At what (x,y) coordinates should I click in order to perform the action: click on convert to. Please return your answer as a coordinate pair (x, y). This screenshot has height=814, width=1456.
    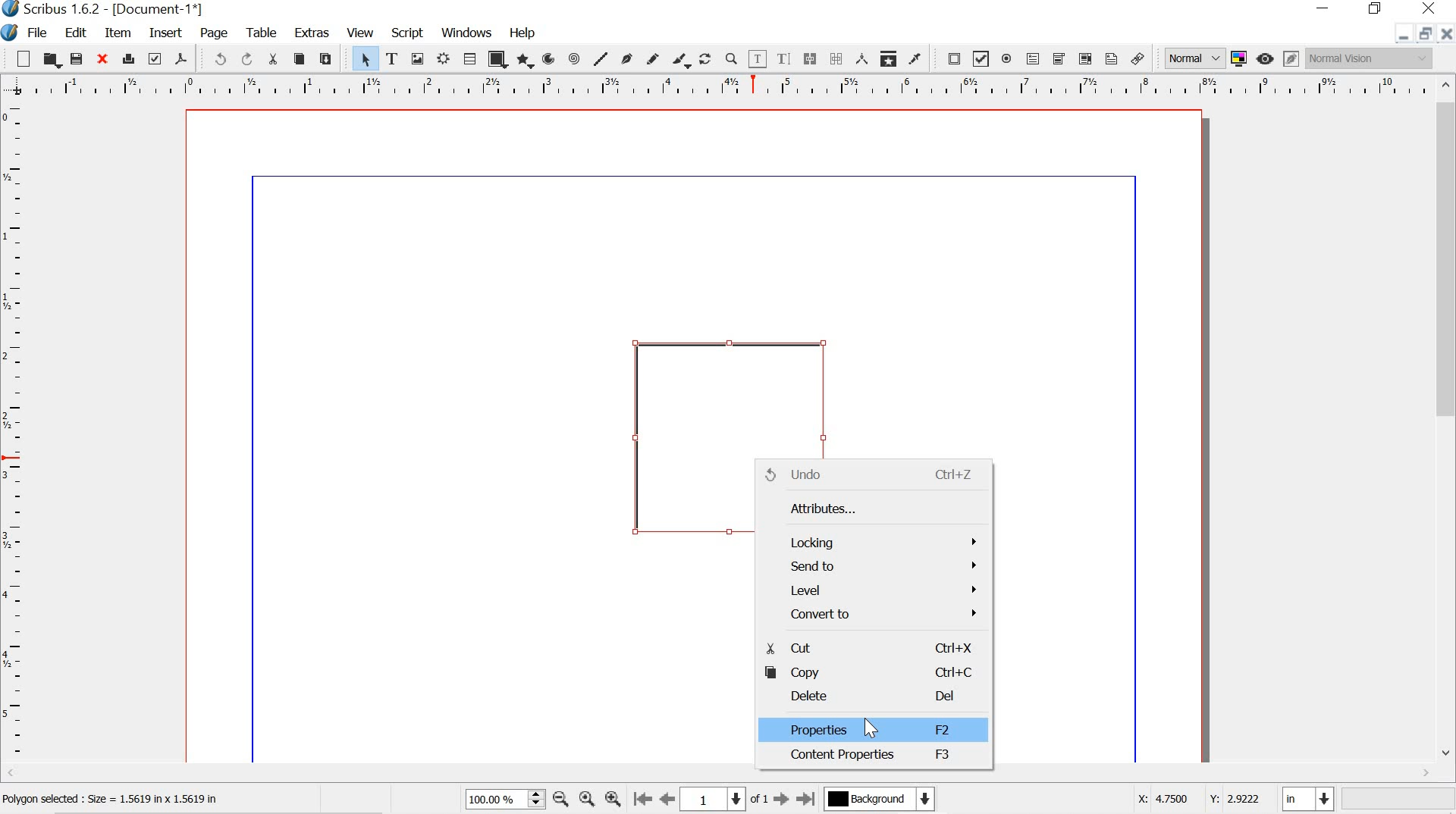
    Looking at the image, I should click on (873, 615).